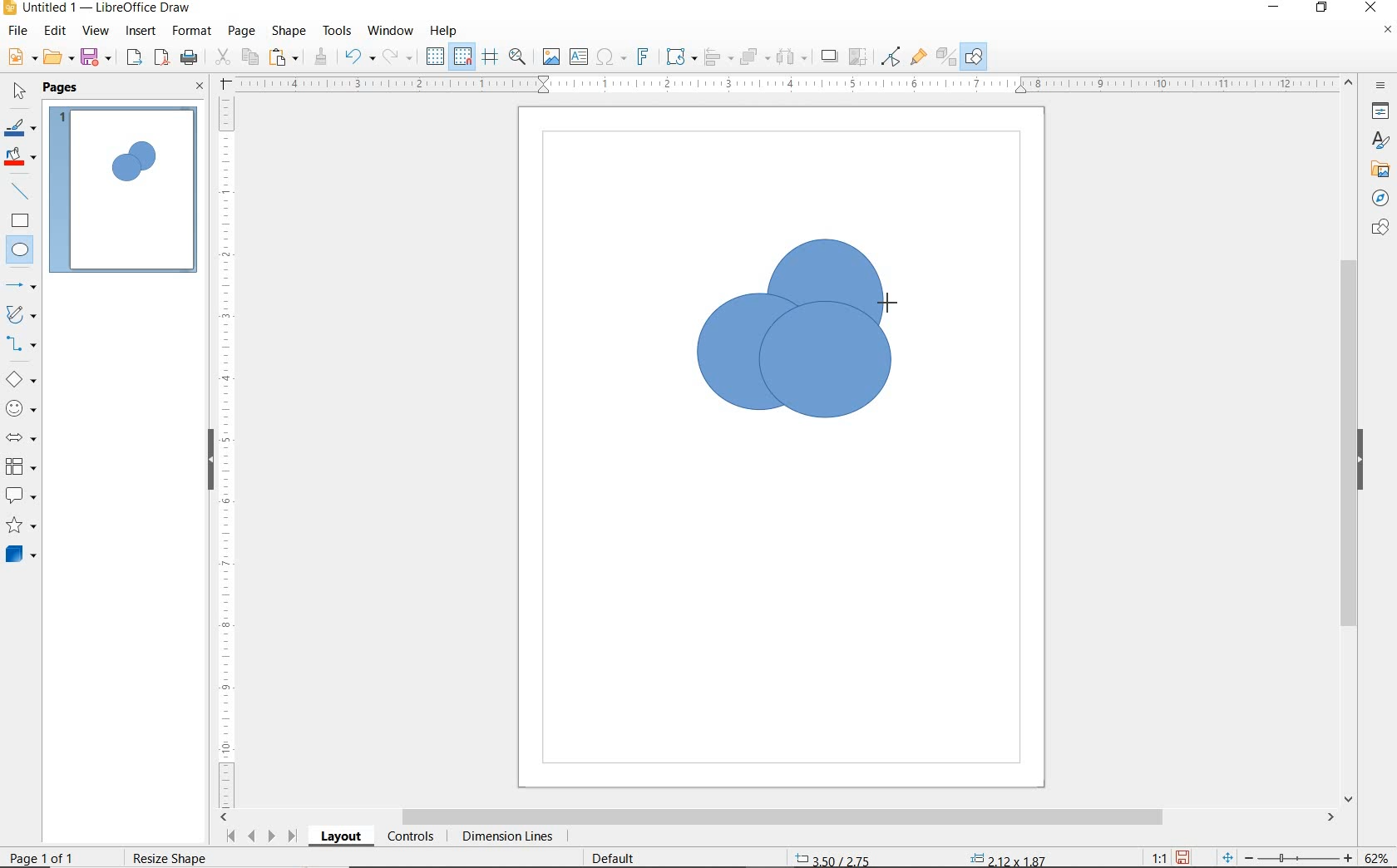  I want to click on CONNECTORS, so click(22, 344).